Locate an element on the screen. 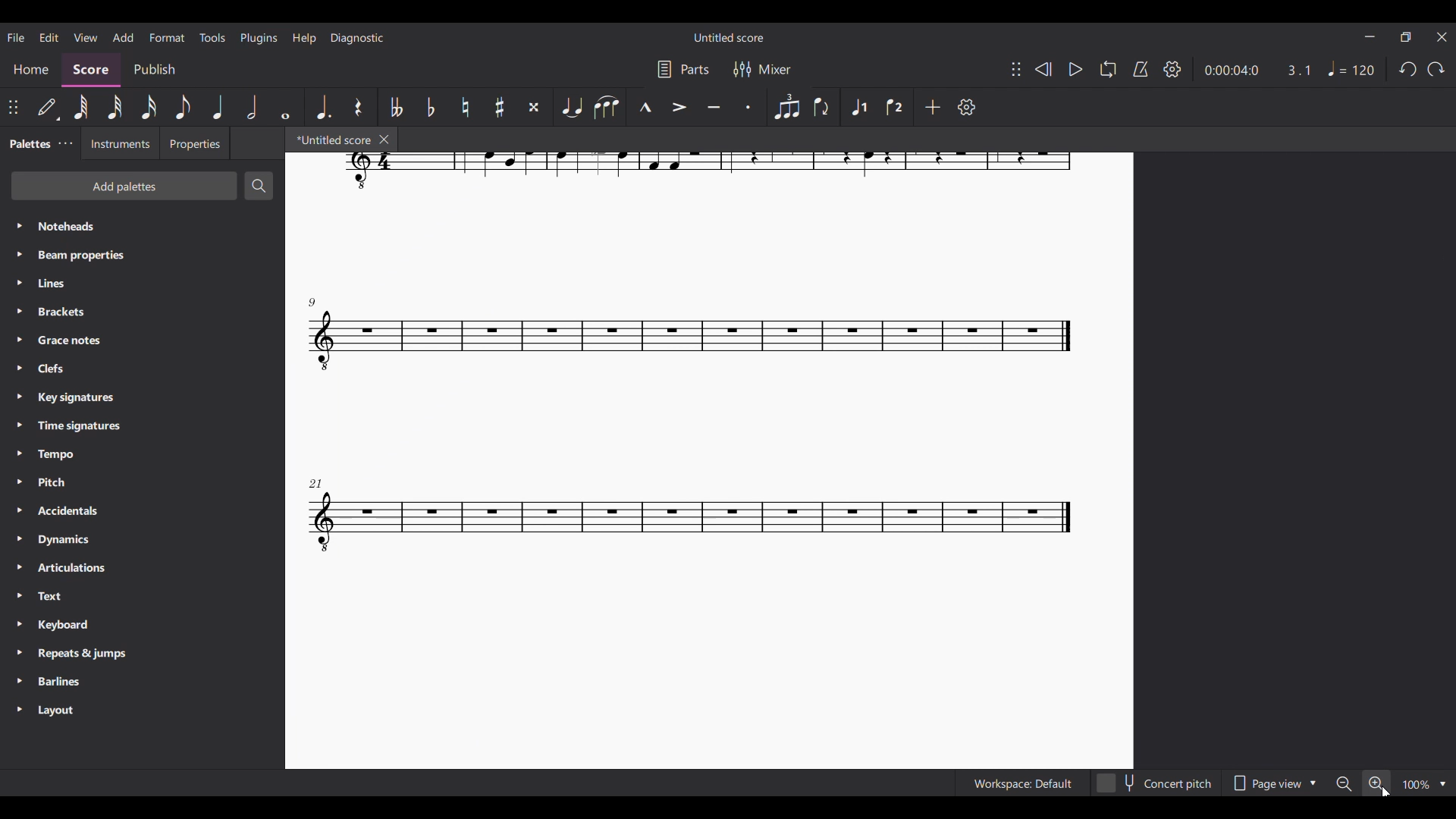 This screenshot has height=819, width=1456. *Untitled score, current tab is located at coordinates (330, 140).